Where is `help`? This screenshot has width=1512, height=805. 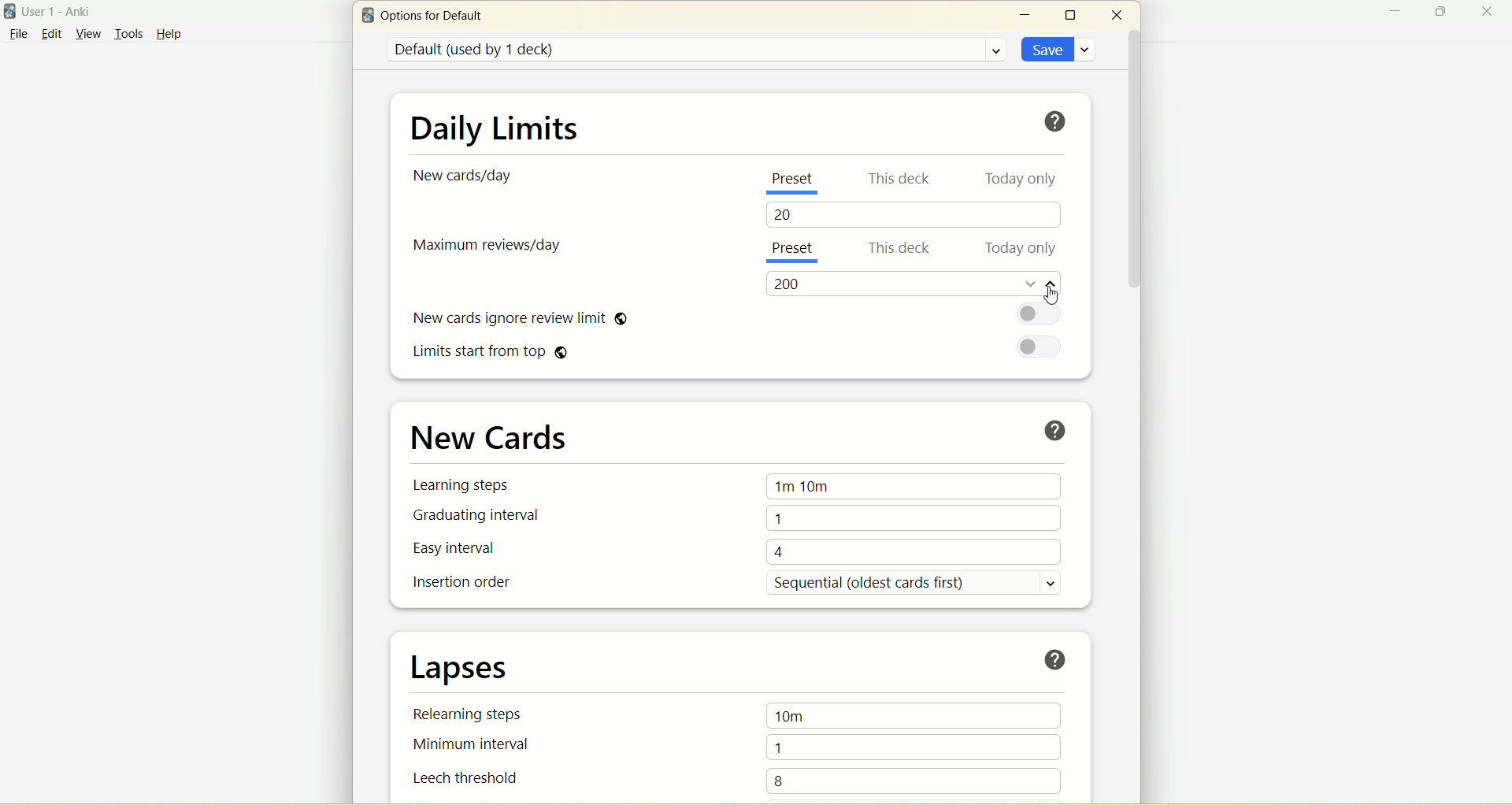 help is located at coordinates (1057, 658).